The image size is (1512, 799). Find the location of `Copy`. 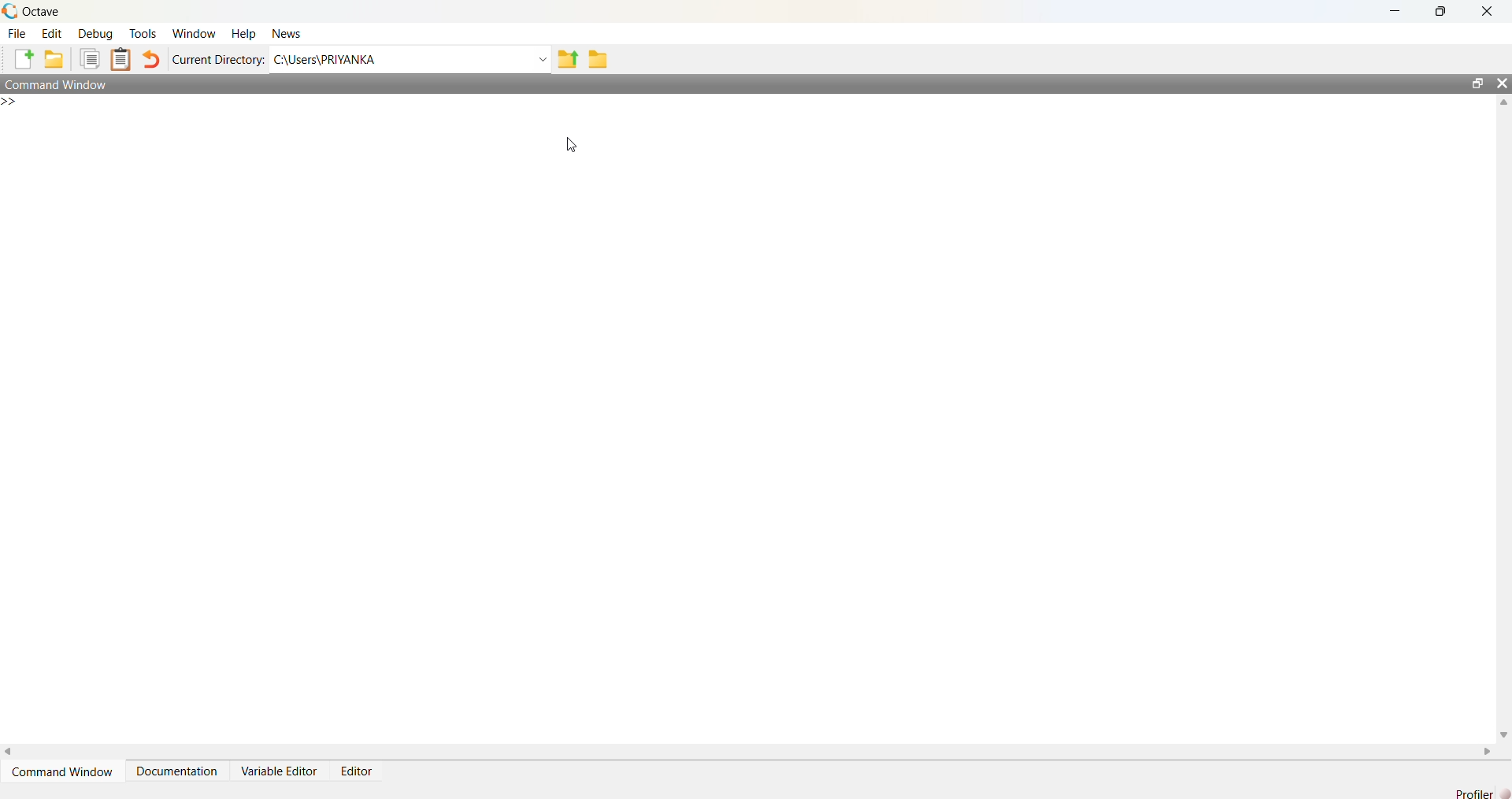

Copy is located at coordinates (88, 59).